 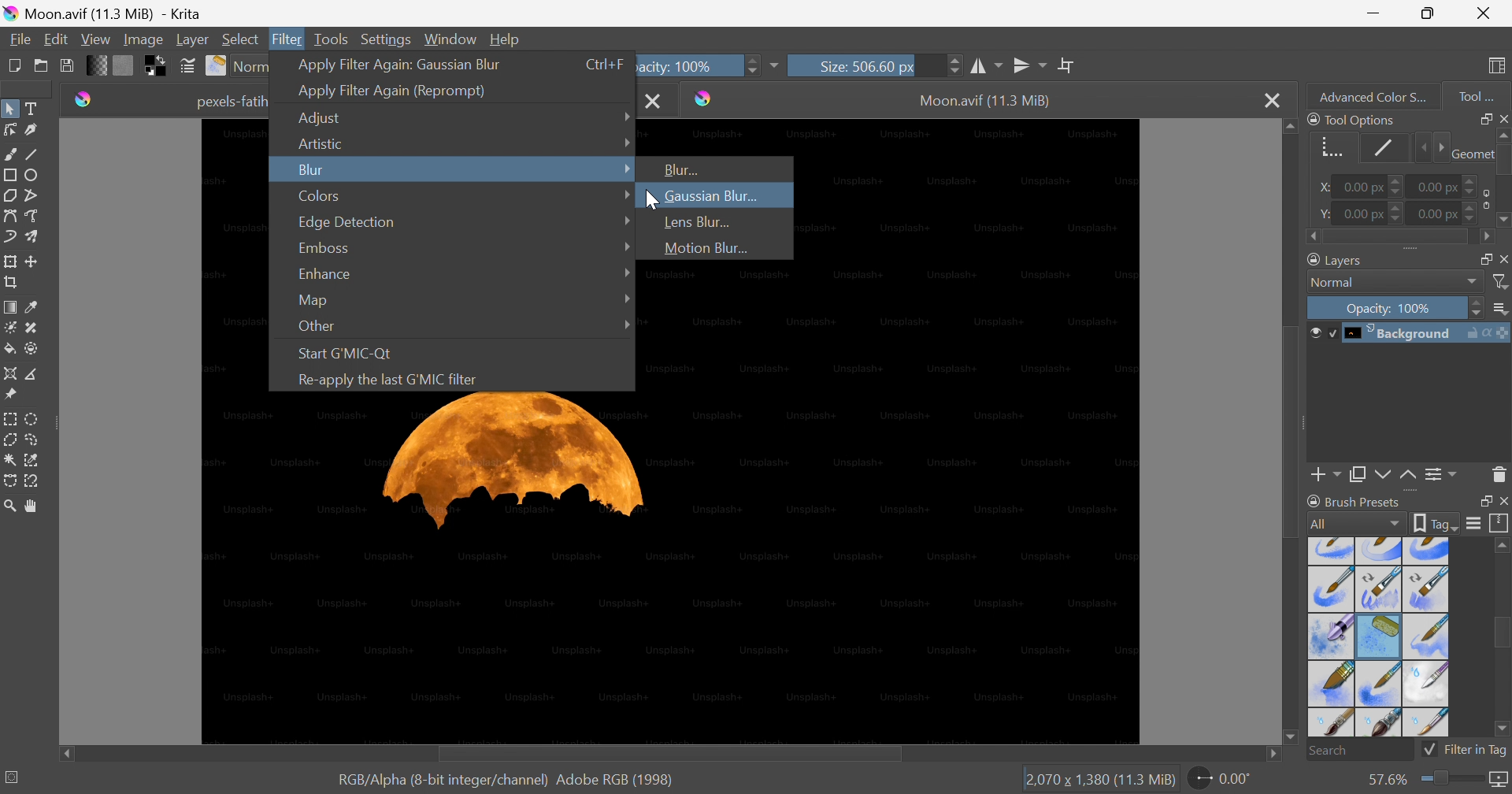 I want to click on Drop Down, so click(x=628, y=170).